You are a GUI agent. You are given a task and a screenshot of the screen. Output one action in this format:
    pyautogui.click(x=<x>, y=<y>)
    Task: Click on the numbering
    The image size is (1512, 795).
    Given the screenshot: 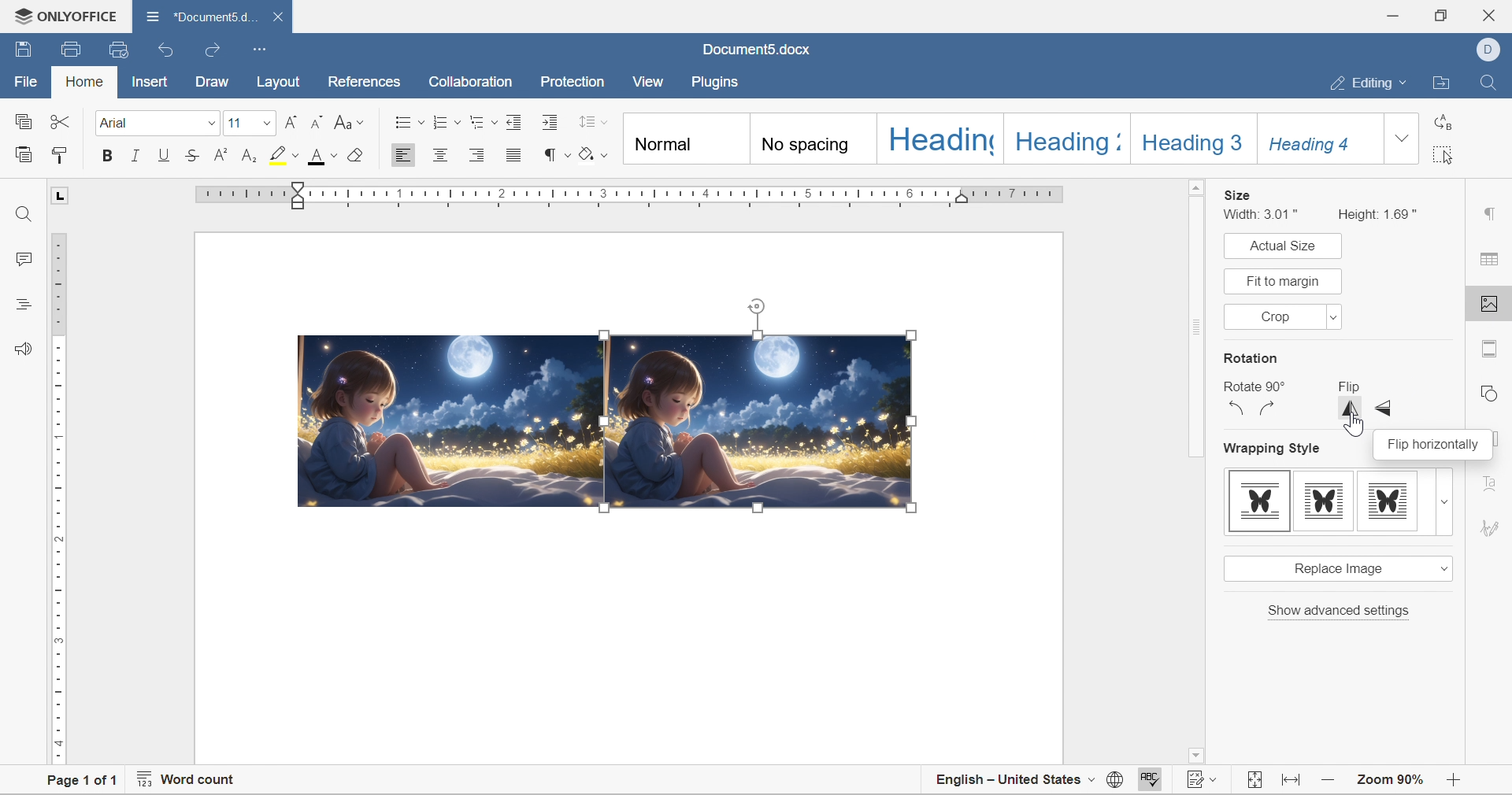 What is the action you would take?
    pyautogui.click(x=447, y=122)
    